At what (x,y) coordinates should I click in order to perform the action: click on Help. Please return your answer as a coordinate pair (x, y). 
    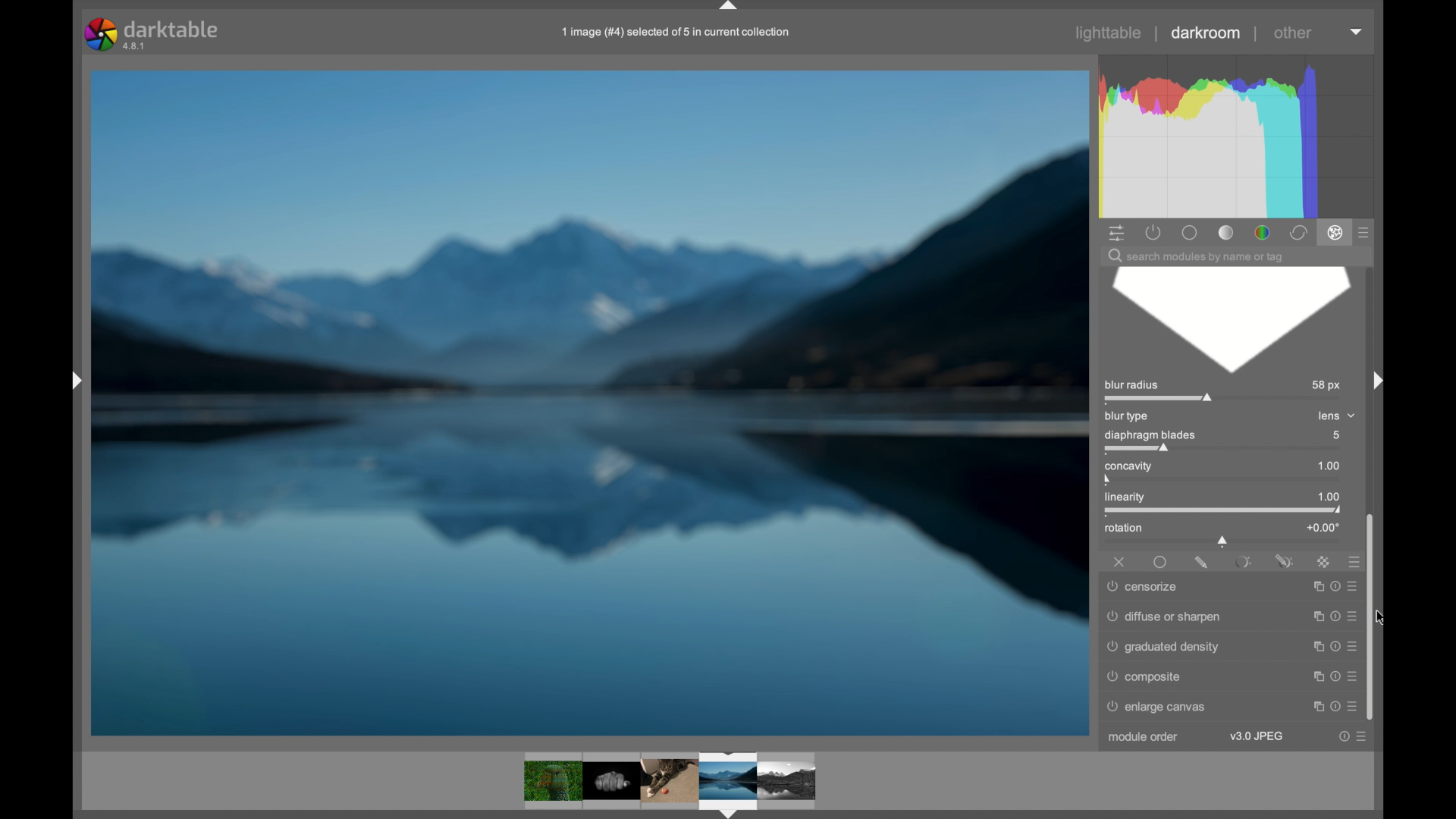
    Looking at the image, I should click on (1343, 736).